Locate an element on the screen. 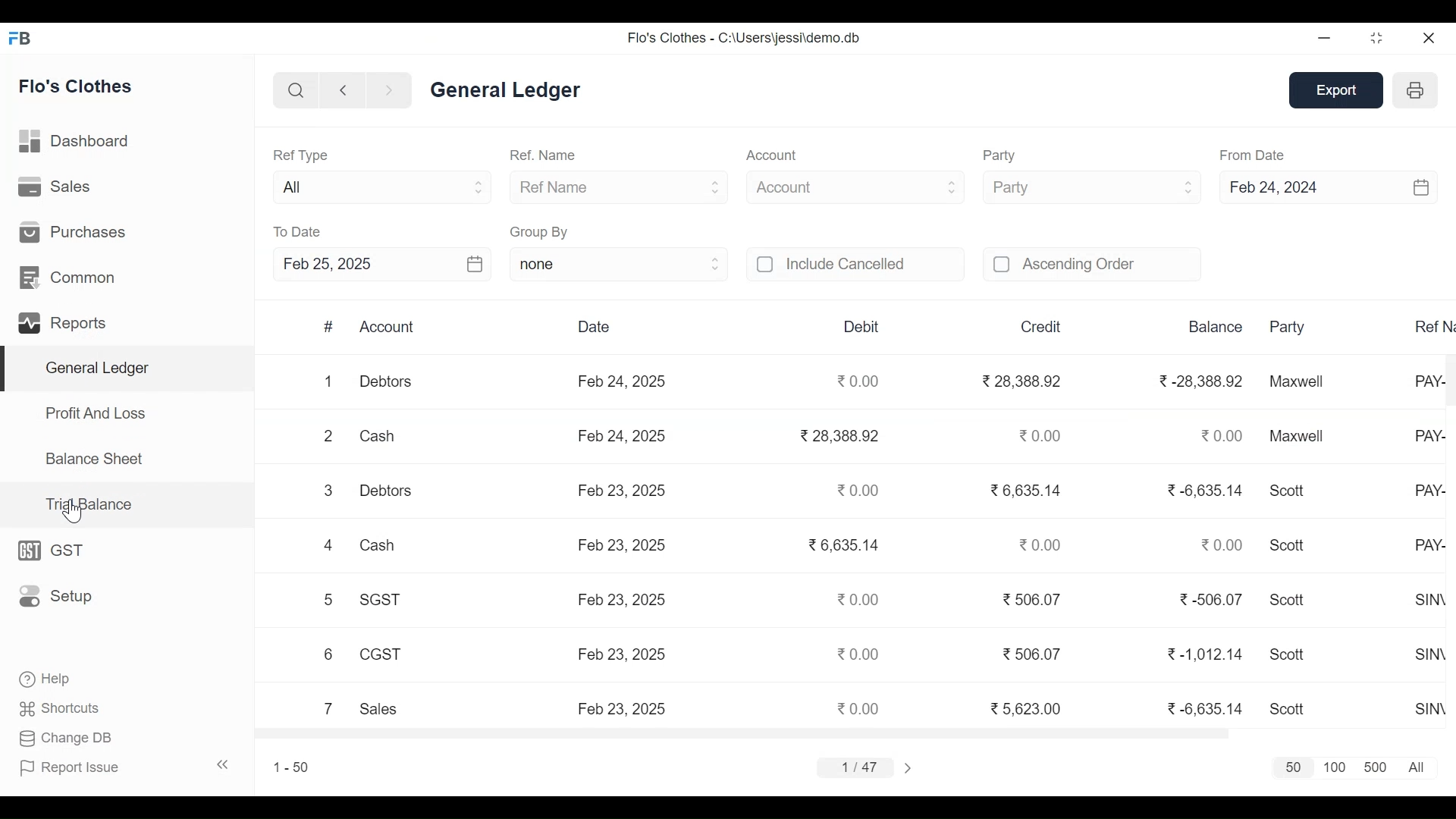 The width and height of the screenshot is (1456, 819). -506.07 is located at coordinates (1211, 597).